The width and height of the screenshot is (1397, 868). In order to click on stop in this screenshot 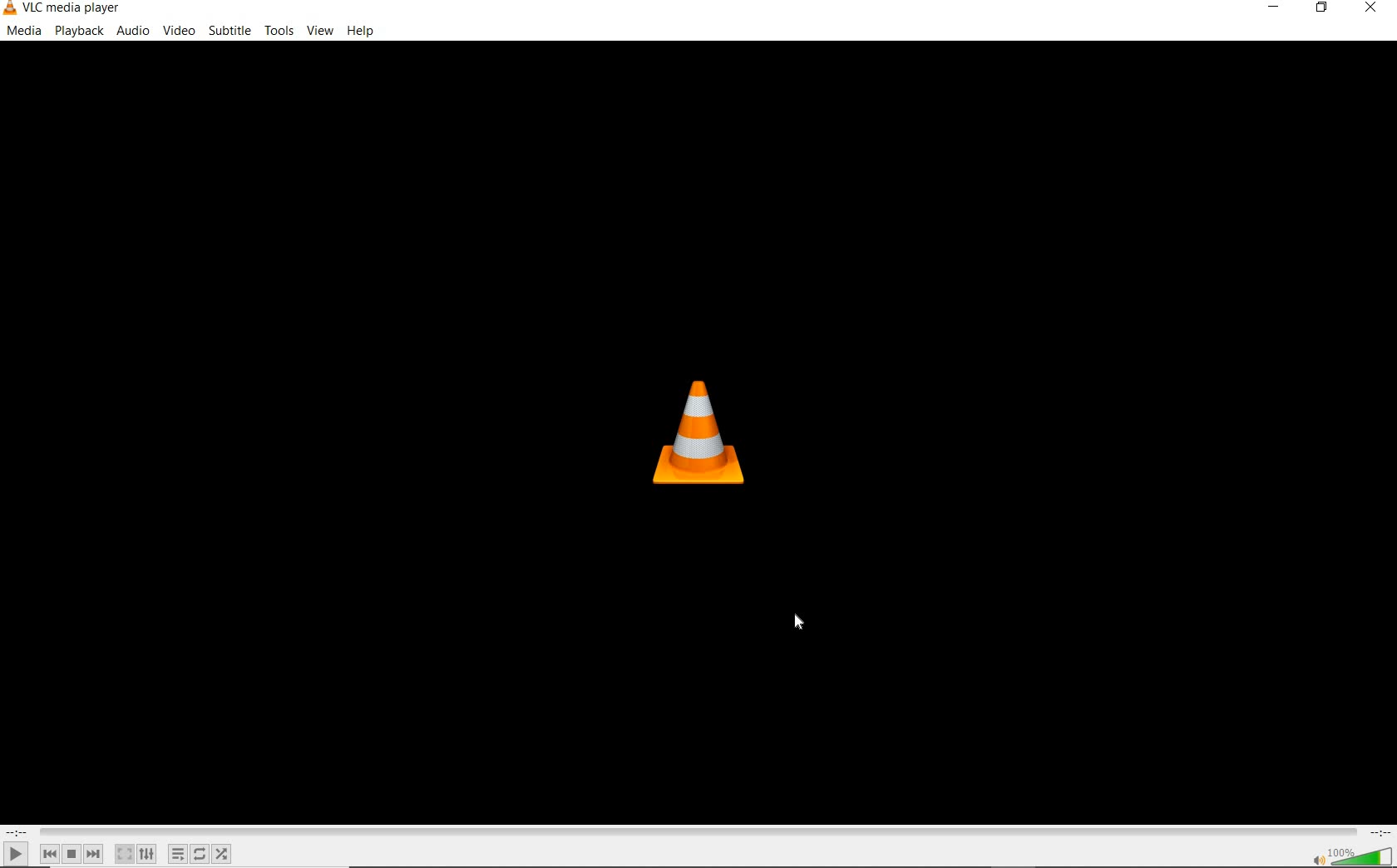, I will do `click(72, 854)`.